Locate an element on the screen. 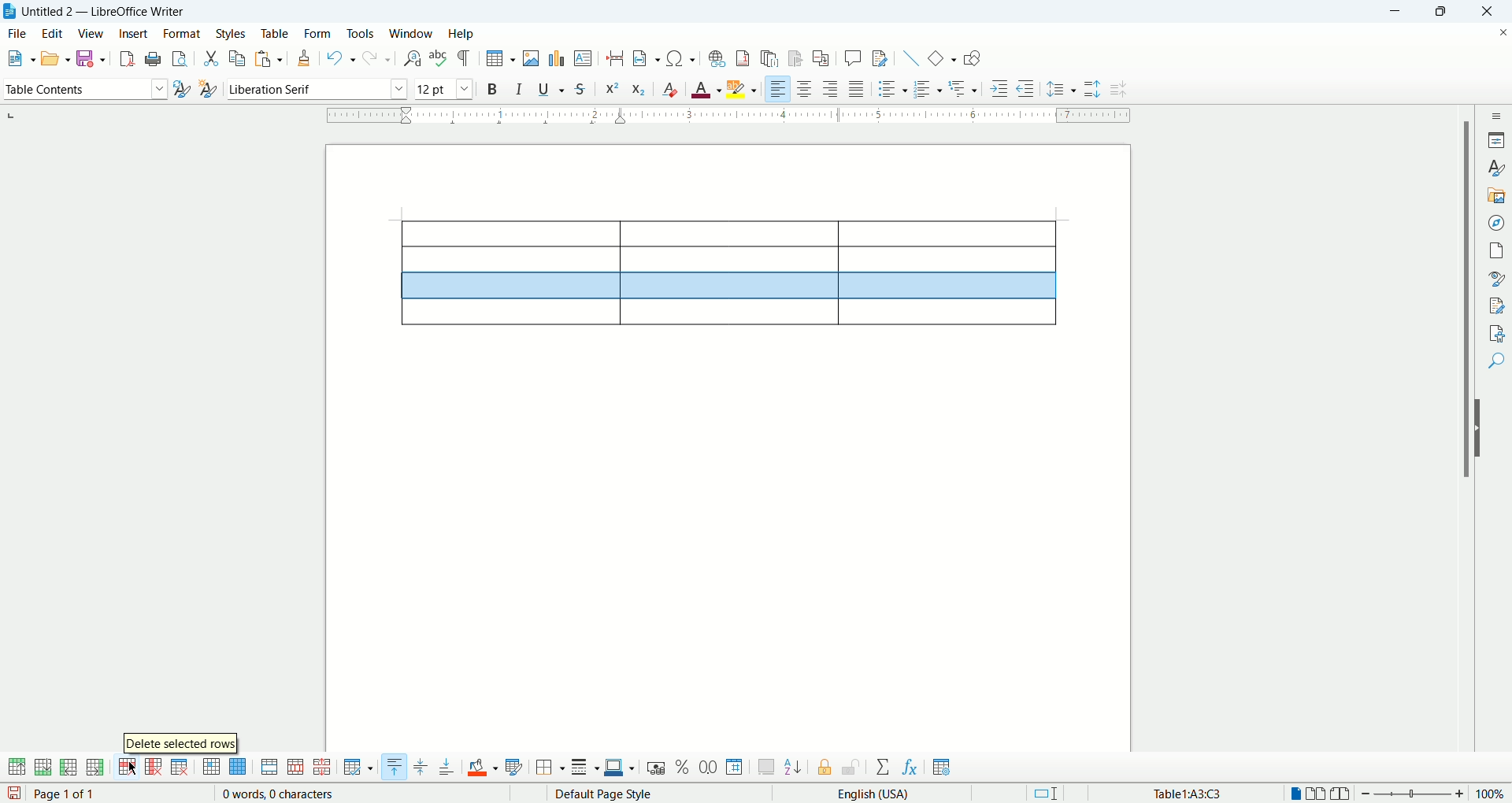 This screenshot has width=1512, height=803. justified is located at coordinates (858, 88).